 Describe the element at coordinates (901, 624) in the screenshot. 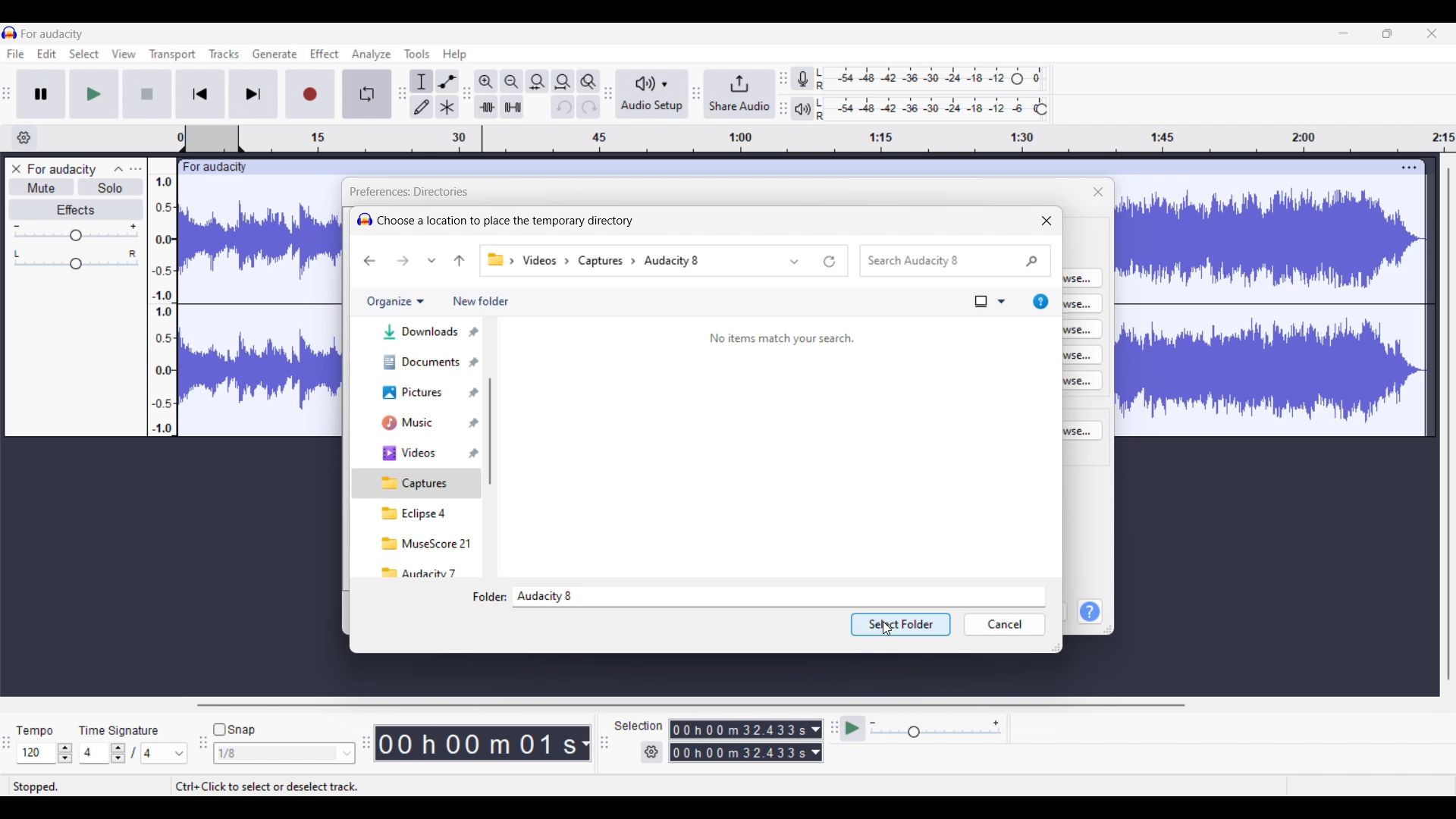

I see `selected folder` at that location.